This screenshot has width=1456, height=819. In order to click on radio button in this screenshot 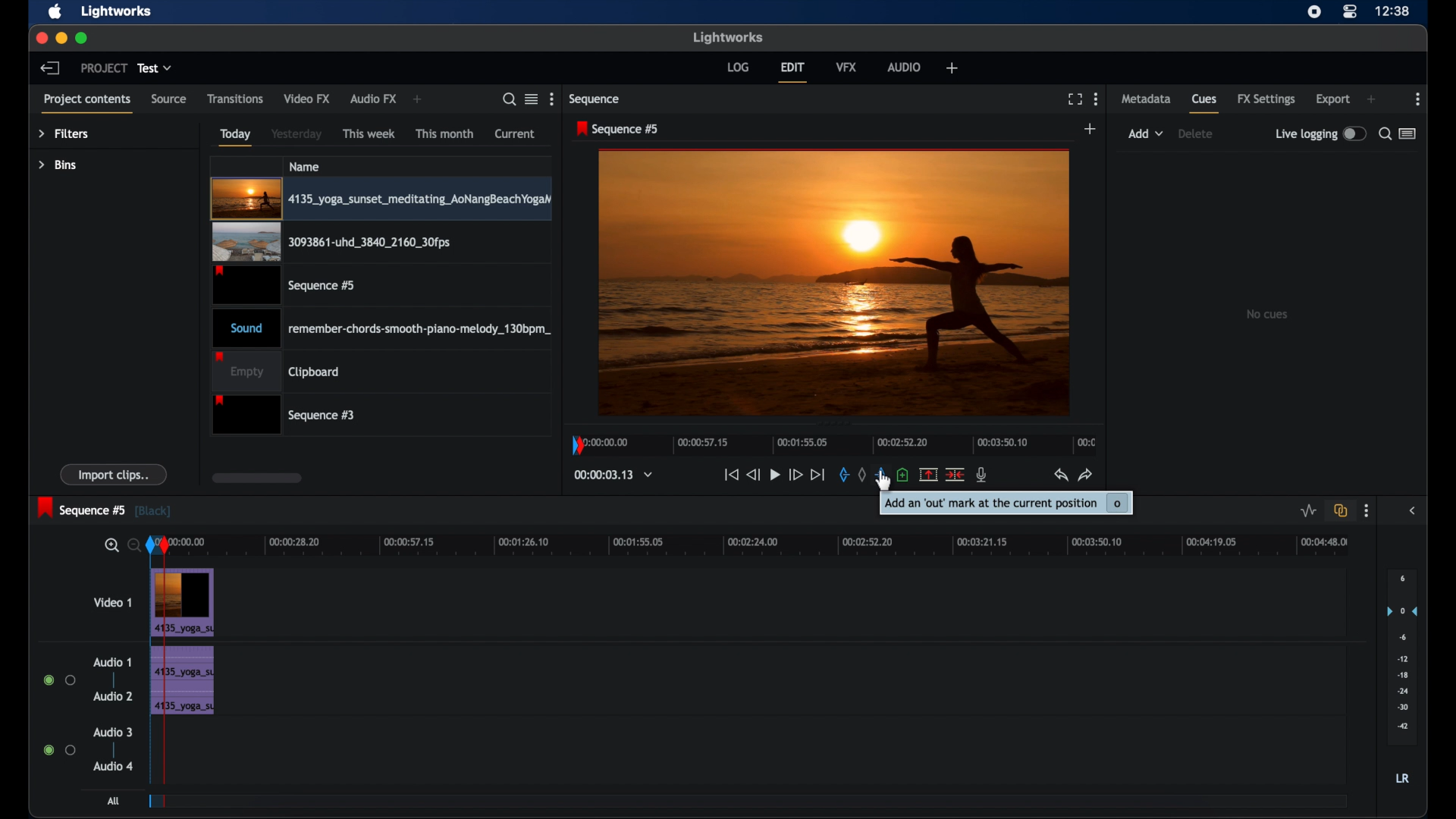, I will do `click(58, 679)`.